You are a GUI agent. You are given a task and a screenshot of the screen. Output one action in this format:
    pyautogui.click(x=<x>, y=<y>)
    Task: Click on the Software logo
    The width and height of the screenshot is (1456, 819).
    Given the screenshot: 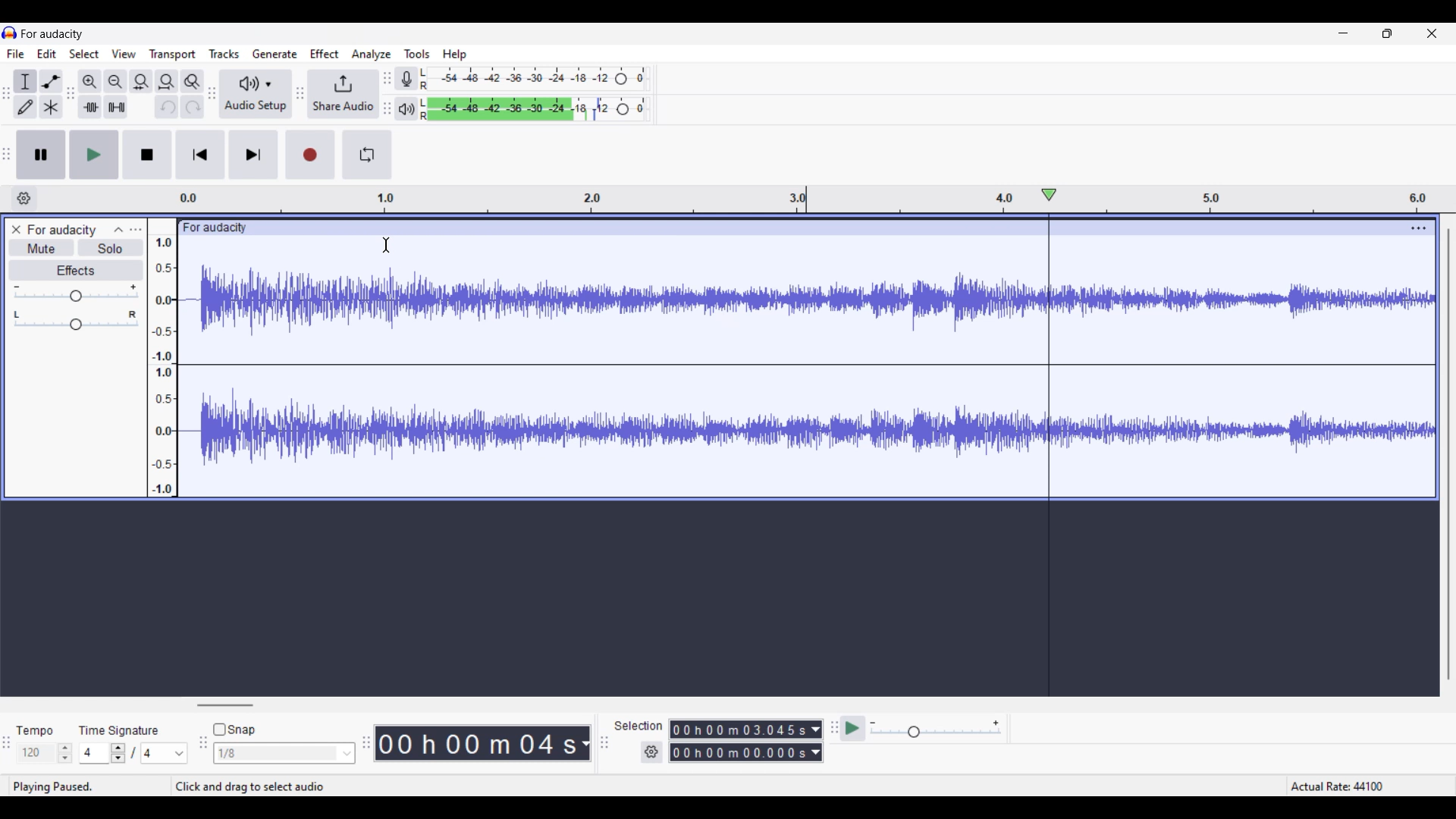 What is the action you would take?
    pyautogui.click(x=10, y=33)
    